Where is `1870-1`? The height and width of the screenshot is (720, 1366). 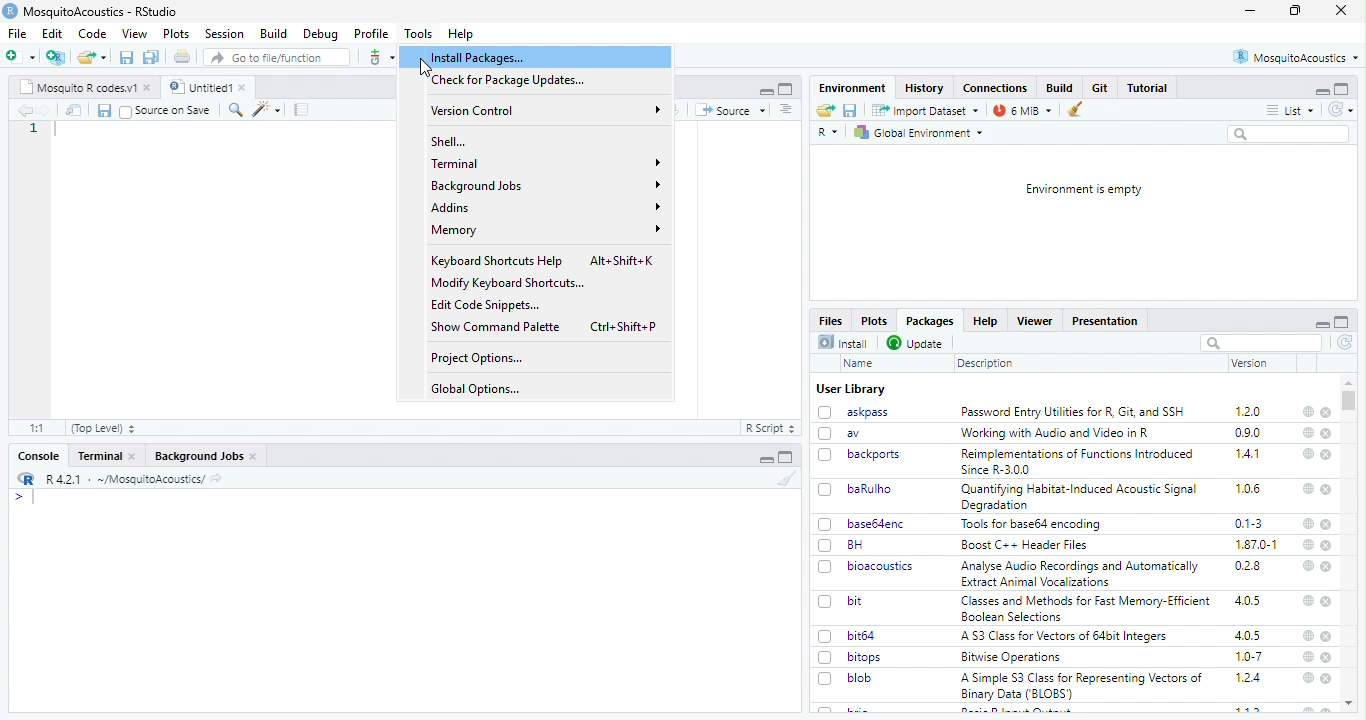
1870-1 is located at coordinates (1257, 545).